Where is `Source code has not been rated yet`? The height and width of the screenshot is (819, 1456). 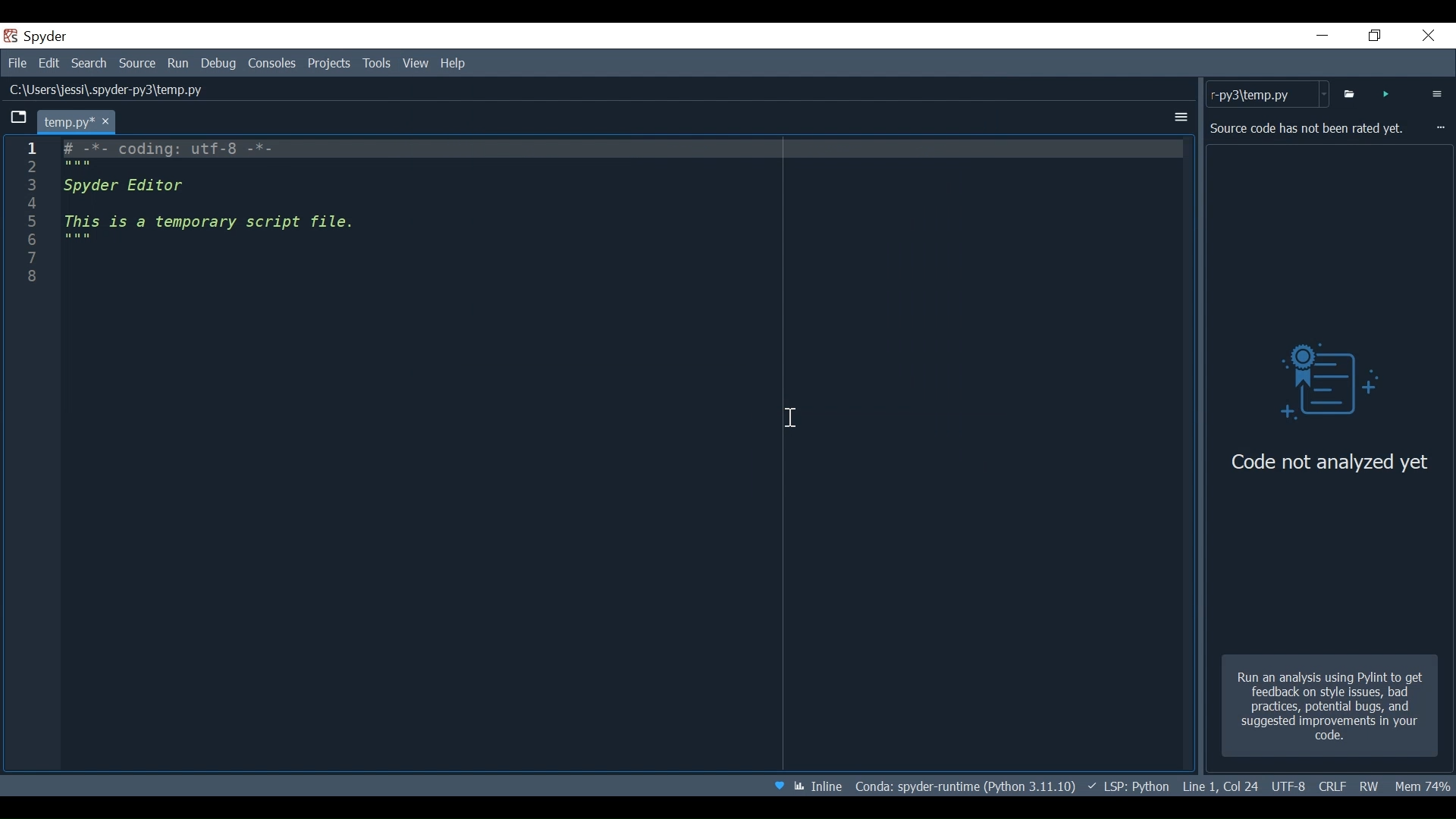 Source code has not been rated yet is located at coordinates (1309, 129).